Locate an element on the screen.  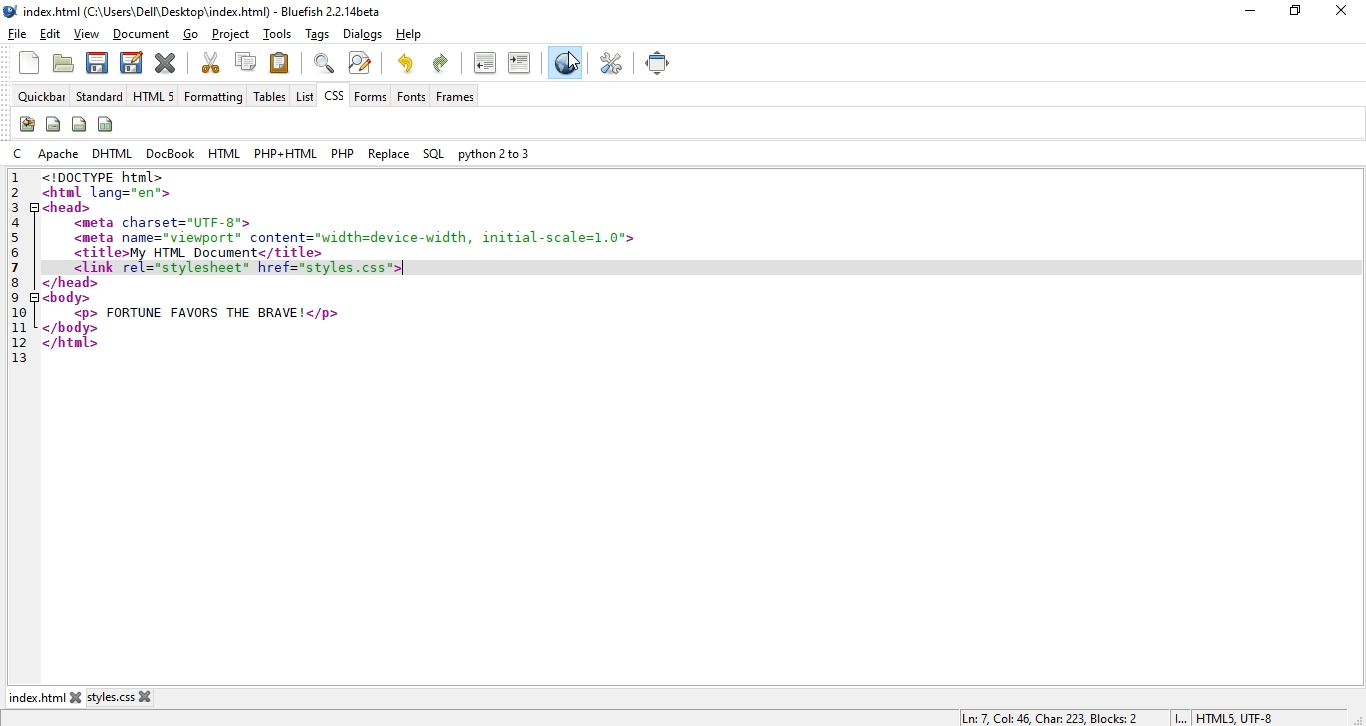
9 is located at coordinates (18, 297).